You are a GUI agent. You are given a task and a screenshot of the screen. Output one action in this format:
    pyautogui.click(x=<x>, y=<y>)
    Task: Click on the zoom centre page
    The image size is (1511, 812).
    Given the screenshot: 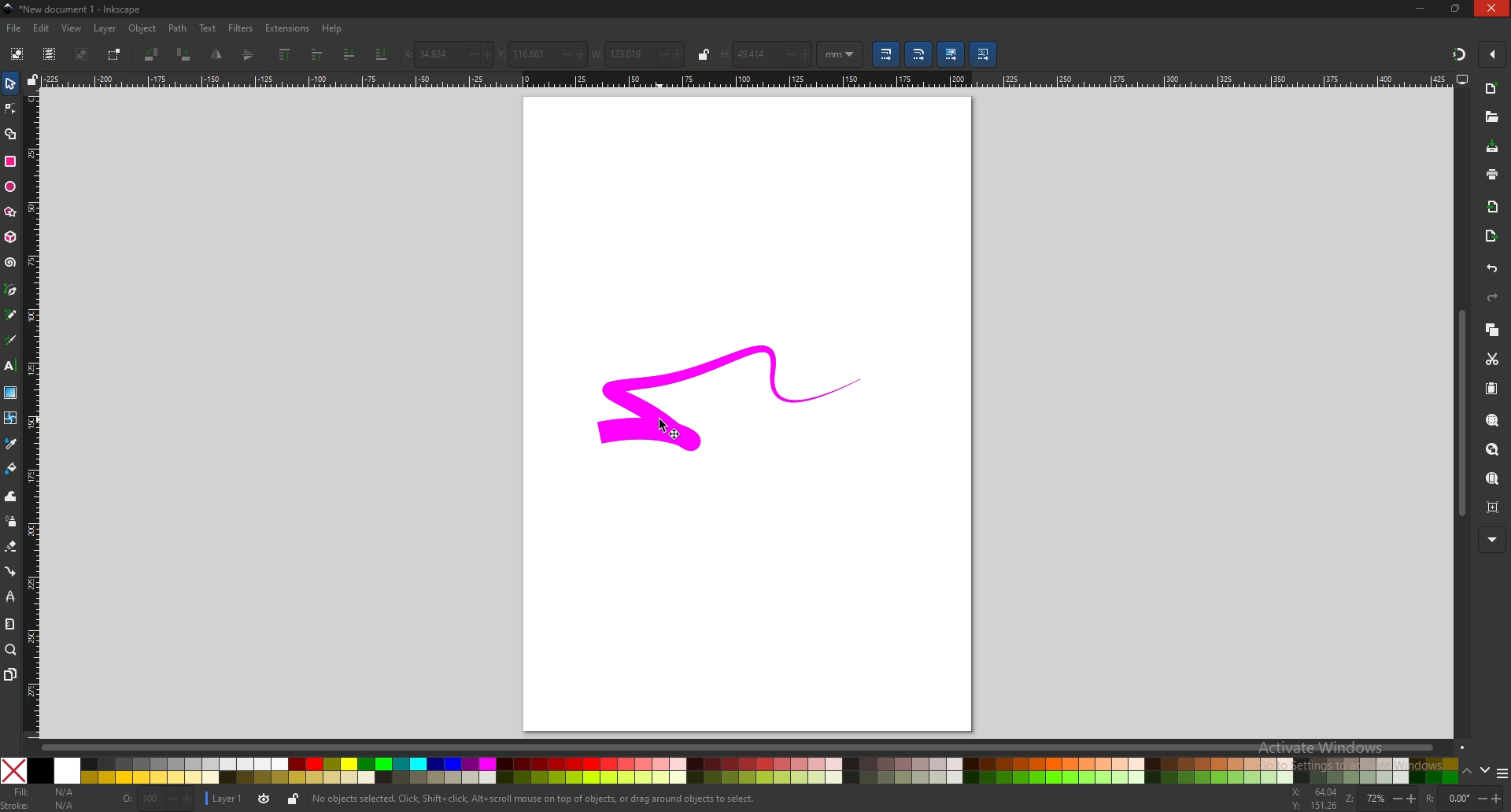 What is the action you would take?
    pyautogui.click(x=1491, y=507)
    